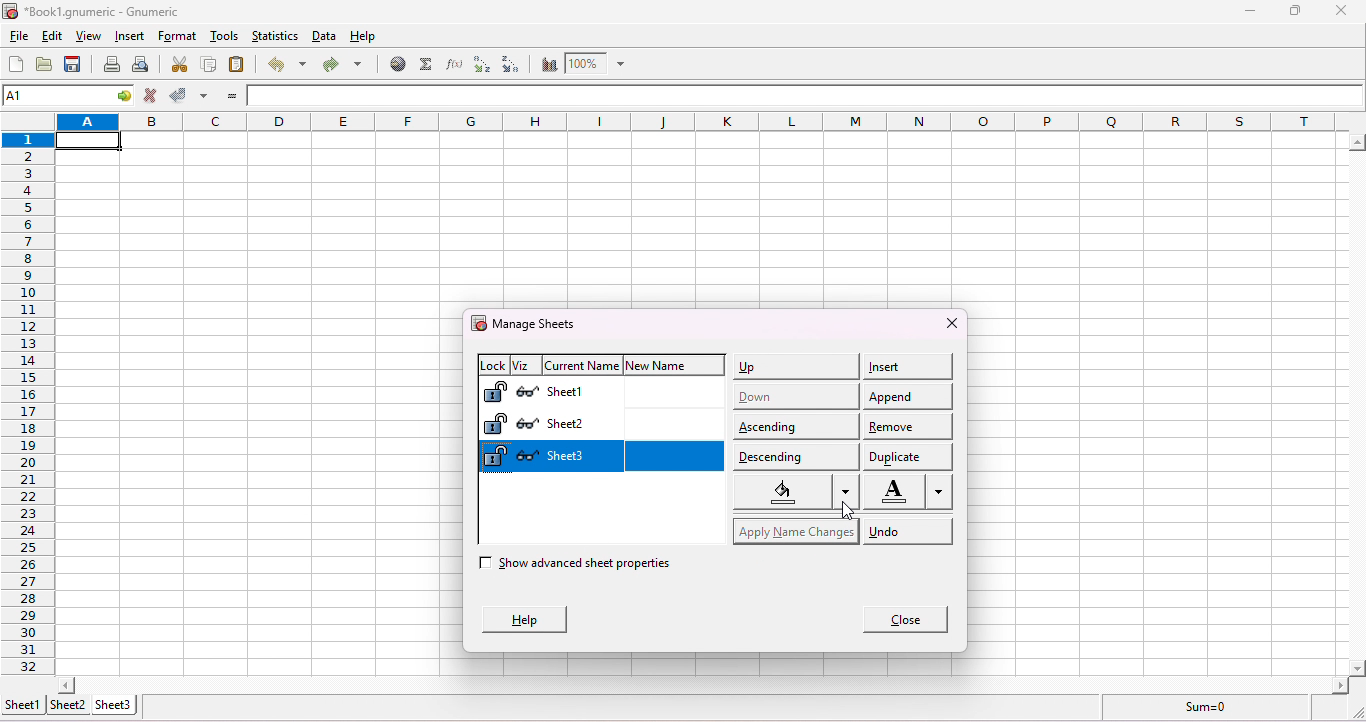 This screenshot has height=722, width=1366. I want to click on cell name A1, so click(55, 95).